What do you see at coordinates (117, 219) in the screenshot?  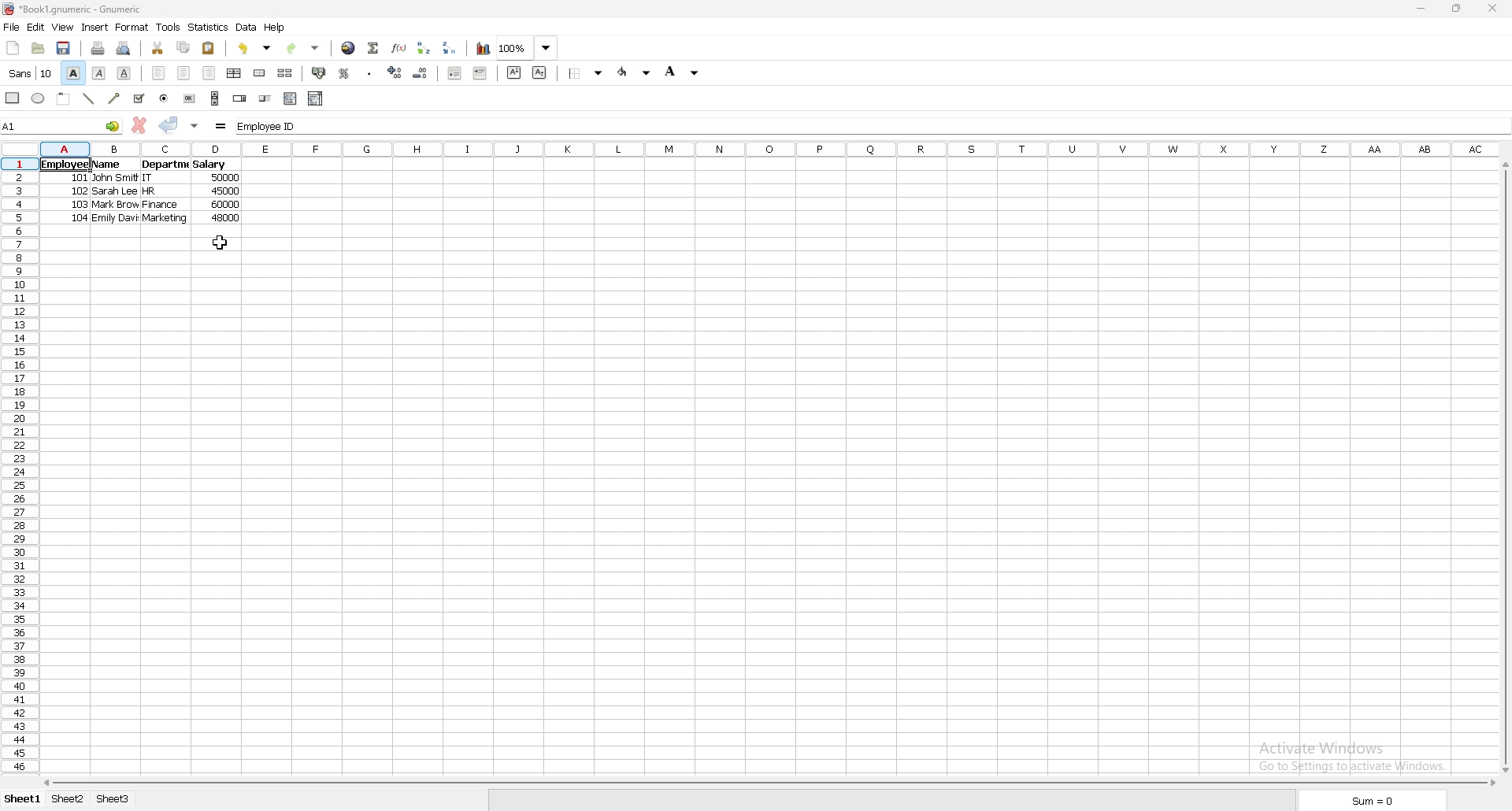 I see `emily davi` at bounding box center [117, 219].